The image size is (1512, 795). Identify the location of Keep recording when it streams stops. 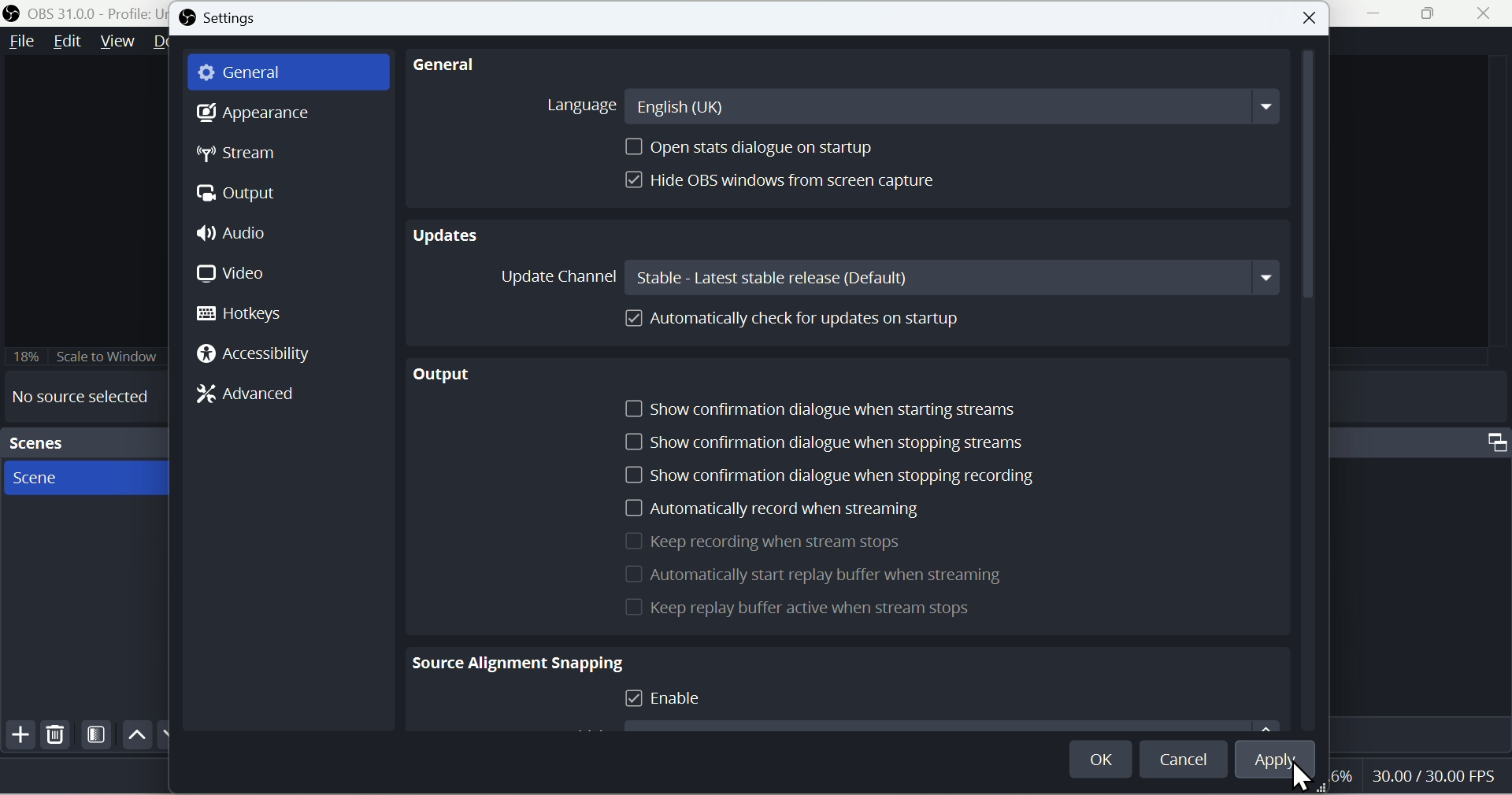
(765, 541).